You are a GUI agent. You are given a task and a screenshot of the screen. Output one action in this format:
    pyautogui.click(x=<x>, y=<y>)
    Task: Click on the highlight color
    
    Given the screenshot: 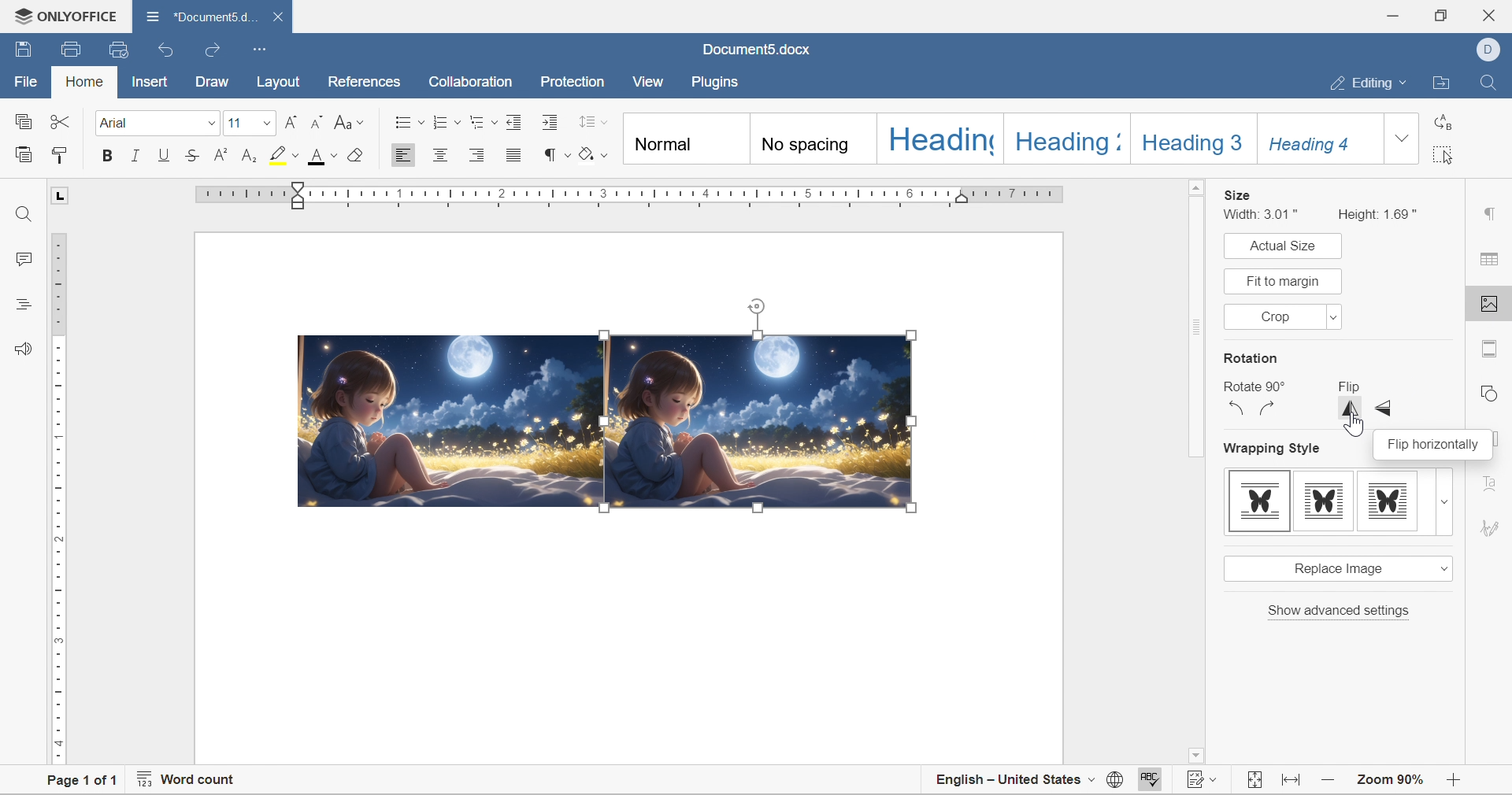 What is the action you would take?
    pyautogui.click(x=286, y=154)
    